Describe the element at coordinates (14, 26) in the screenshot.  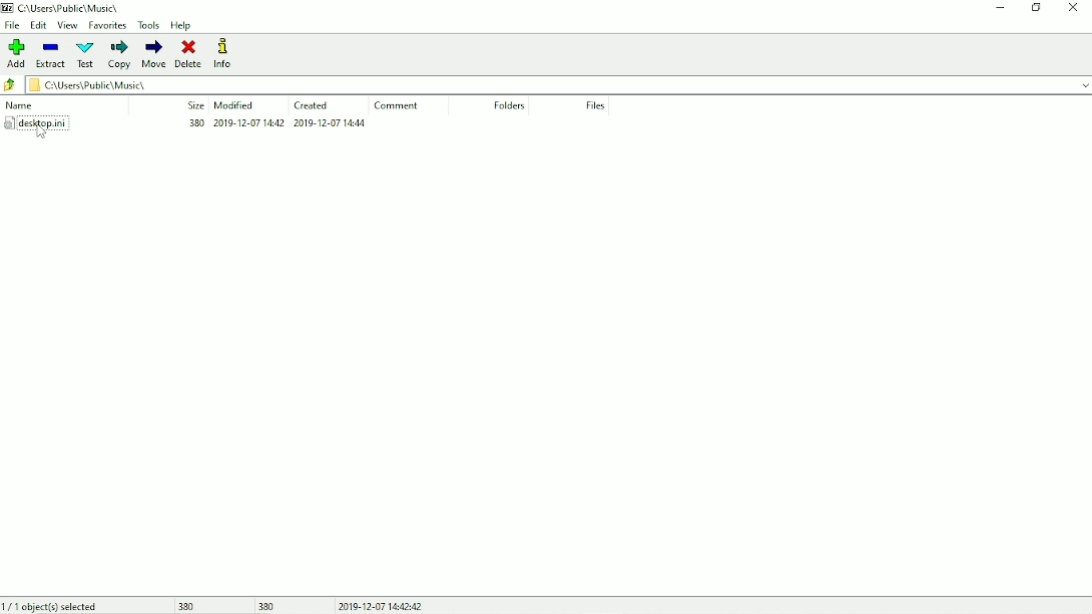
I see `File` at that location.